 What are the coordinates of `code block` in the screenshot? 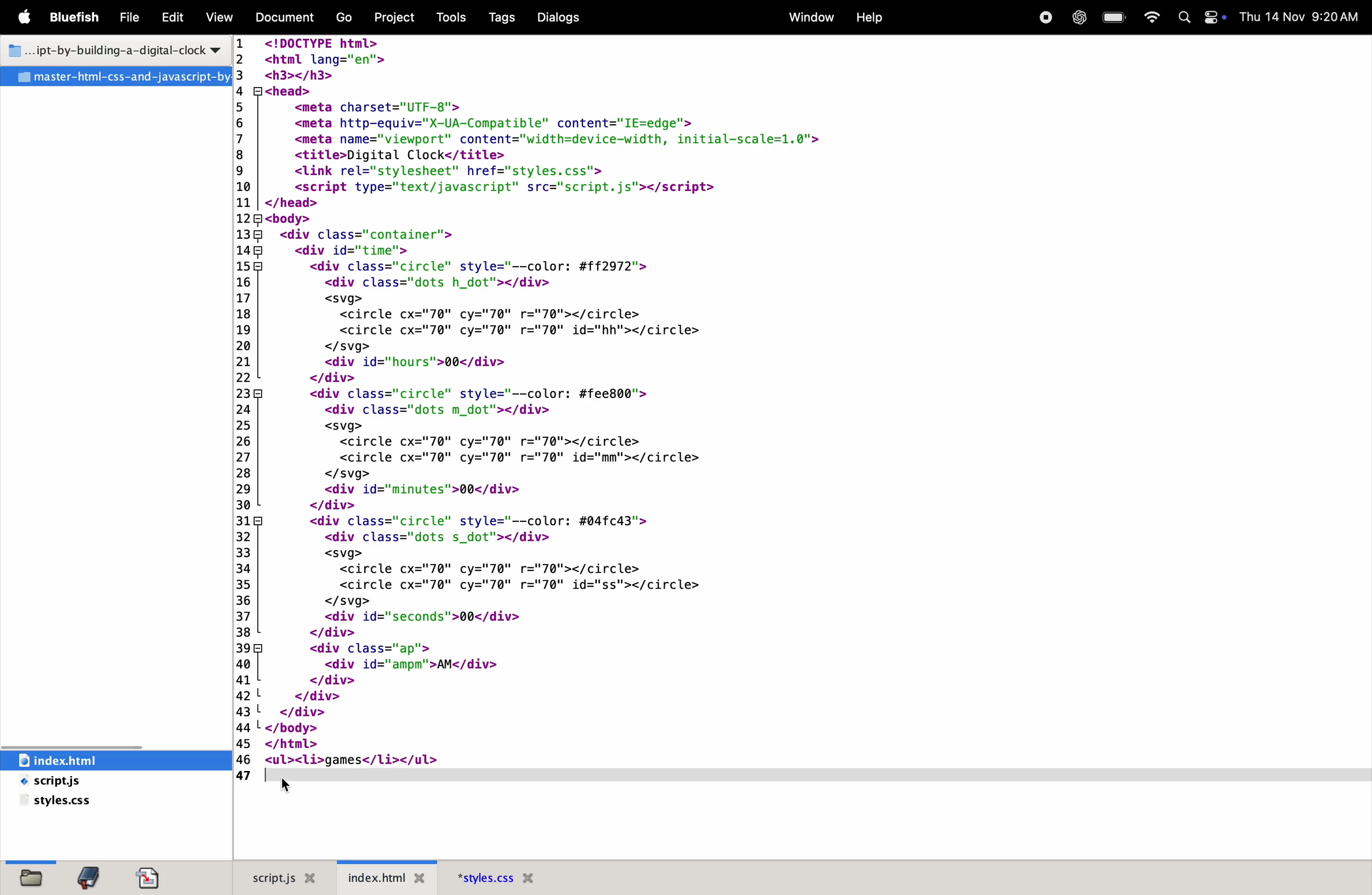 It's located at (617, 402).